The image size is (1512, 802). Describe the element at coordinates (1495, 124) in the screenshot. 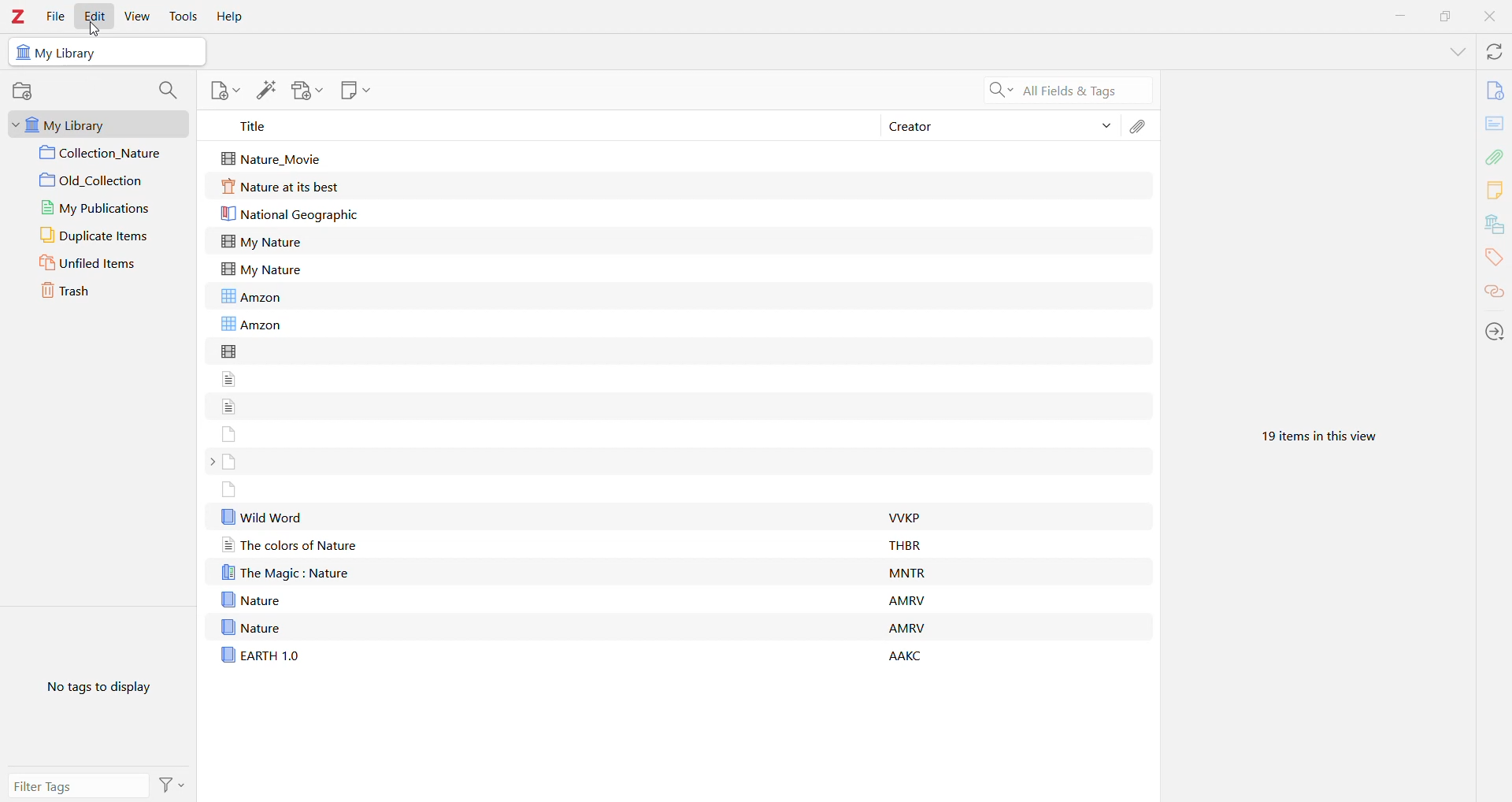

I see `Abstract` at that location.